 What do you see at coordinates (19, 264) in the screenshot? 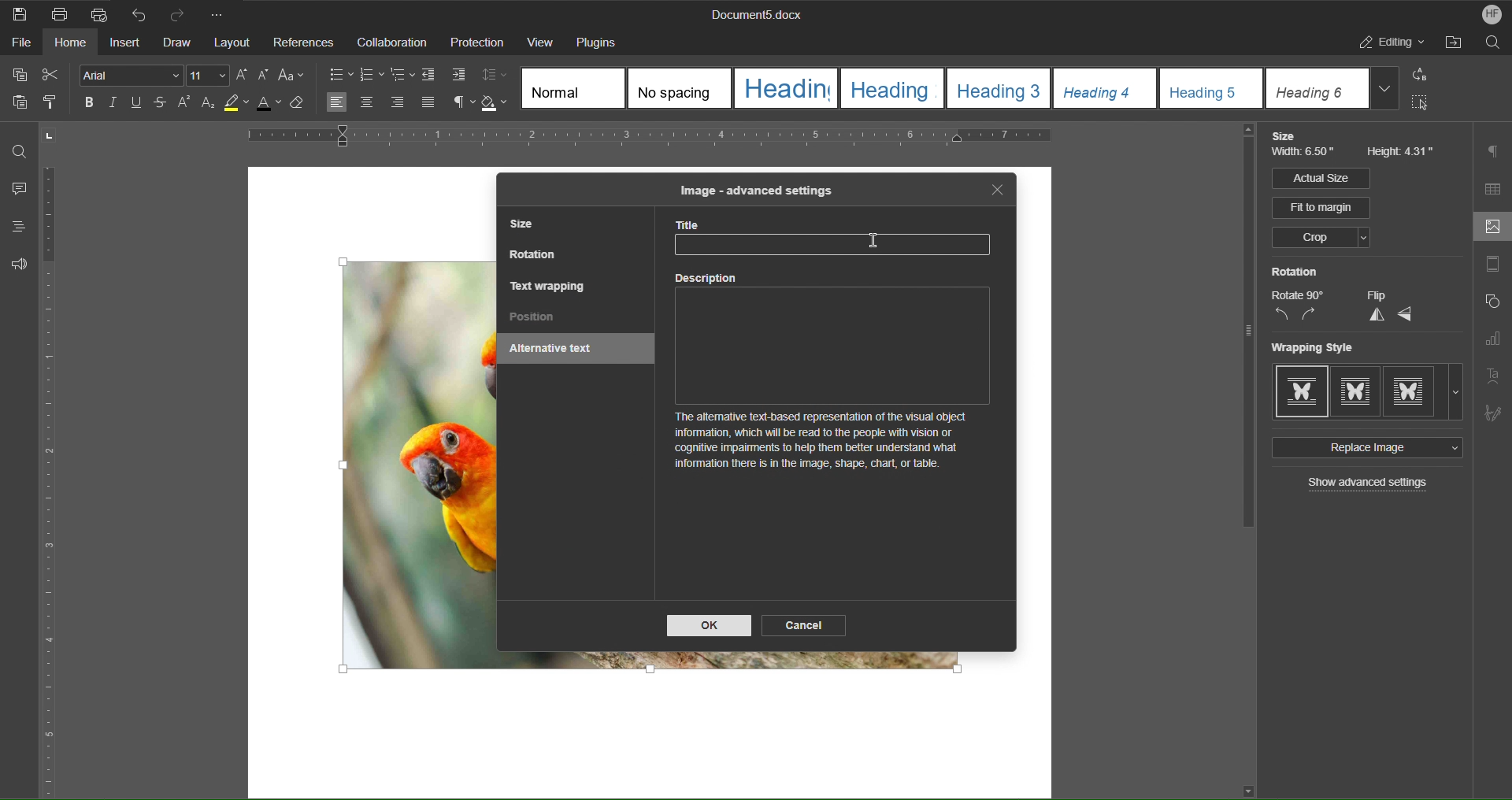
I see `Feedback and Support` at bounding box center [19, 264].